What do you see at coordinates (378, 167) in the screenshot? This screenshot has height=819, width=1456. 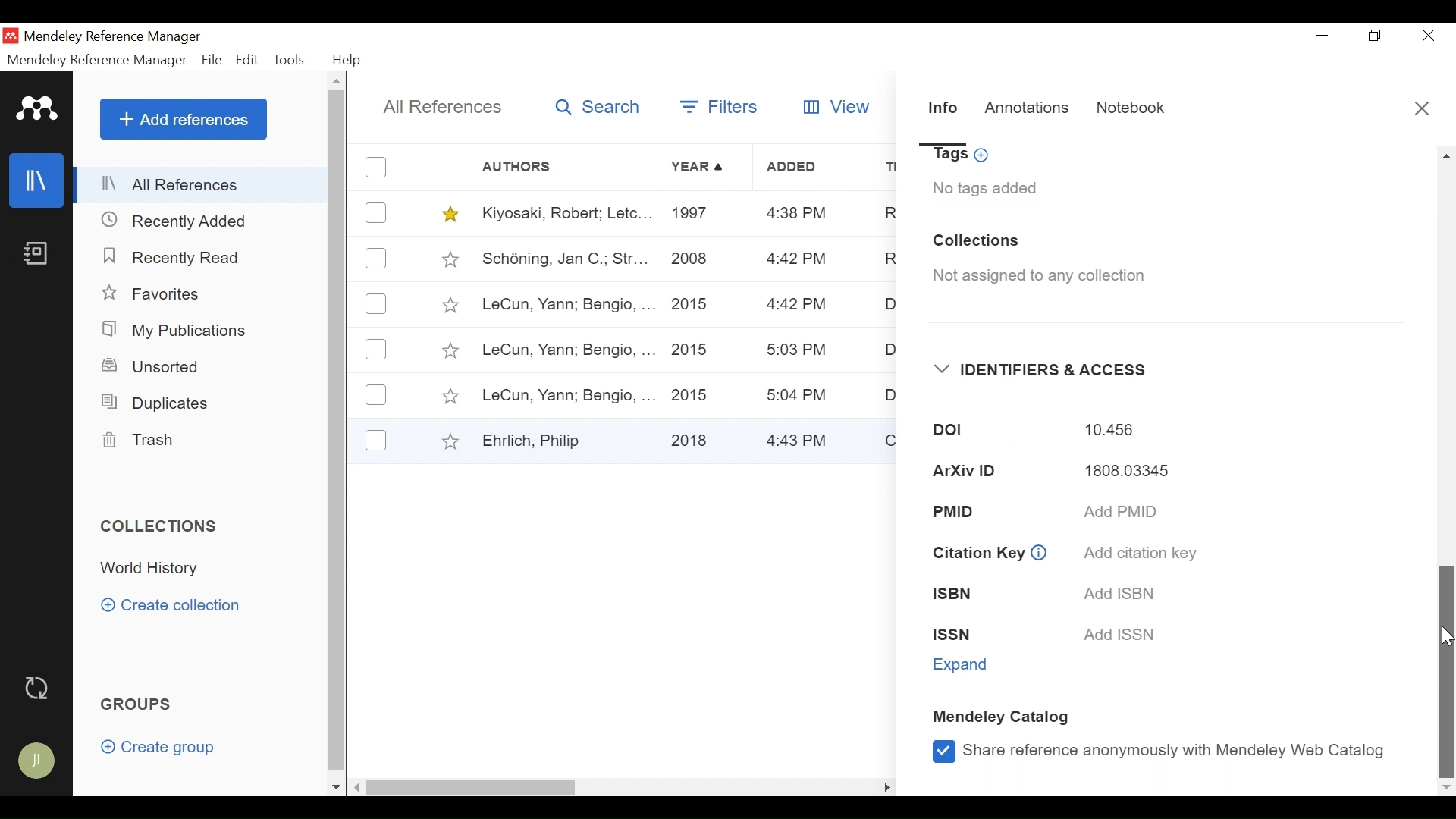 I see `(un)select` at bounding box center [378, 167].